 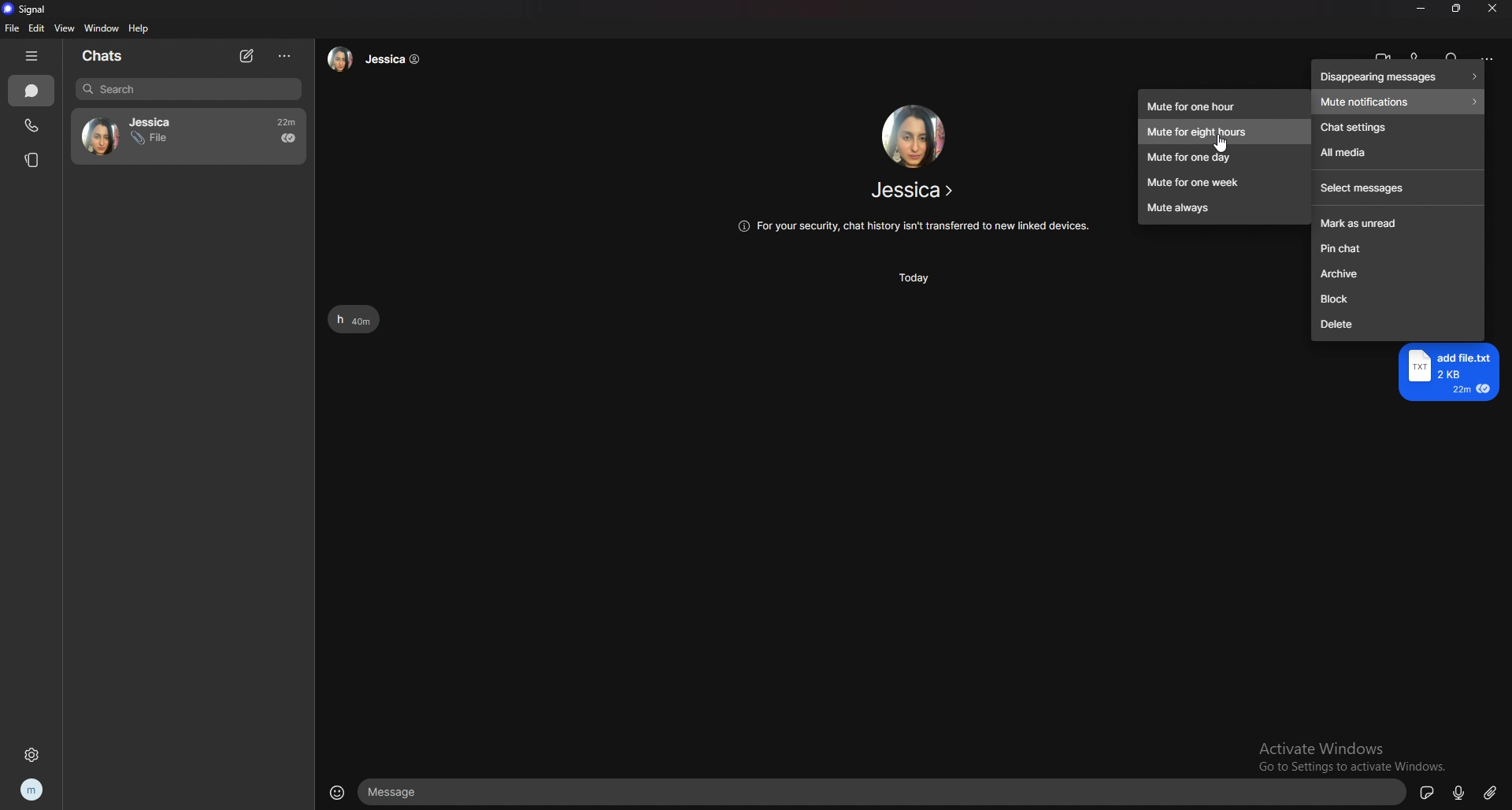 I want to click on add file.txt
2KB
22m €@
=, so click(x=1453, y=373).